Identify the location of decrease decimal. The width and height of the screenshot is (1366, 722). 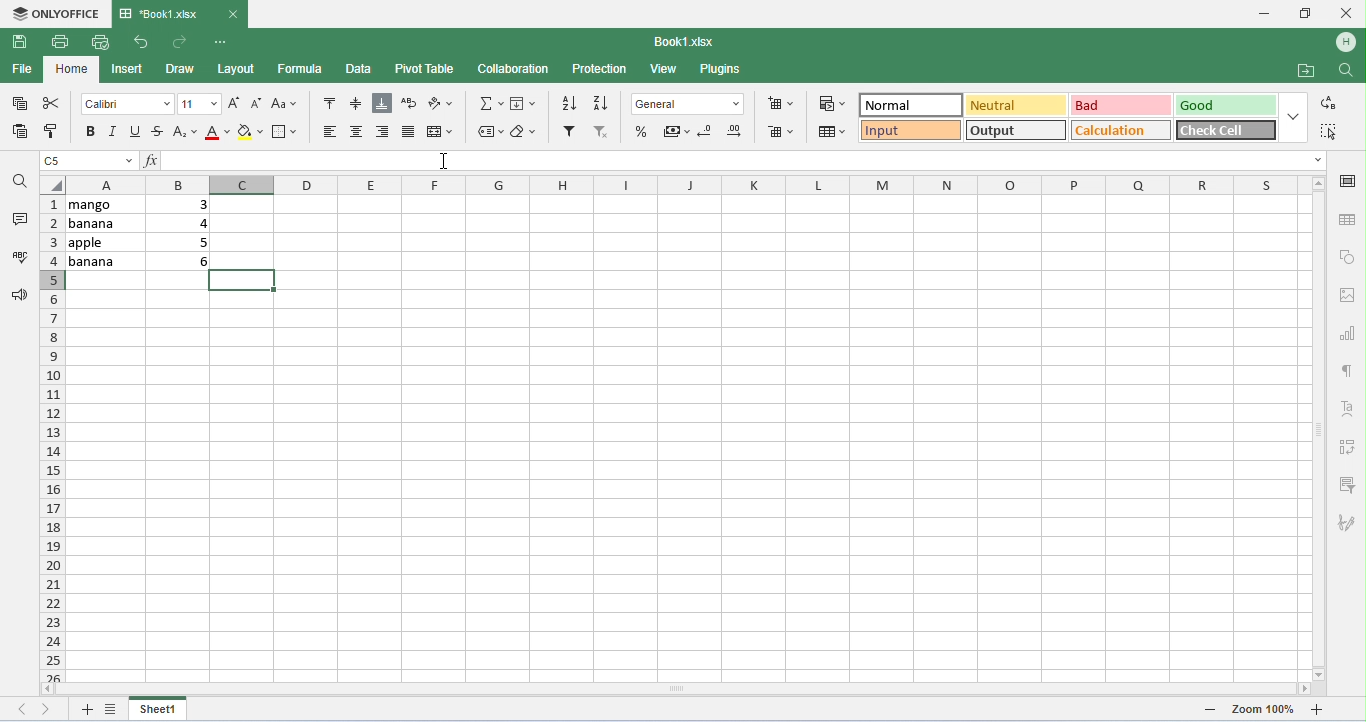
(705, 130).